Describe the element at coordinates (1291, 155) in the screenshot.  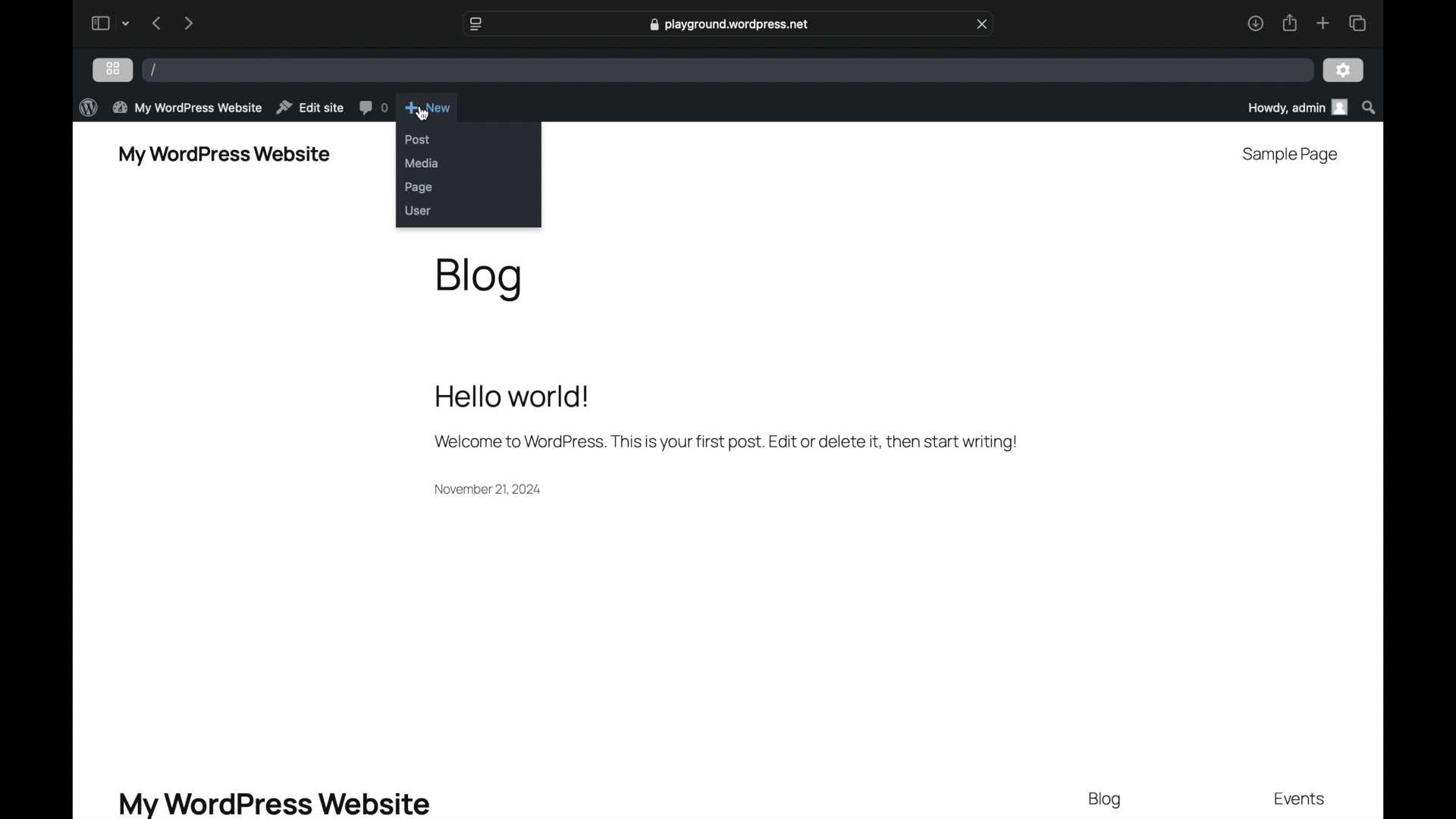
I see `sample page` at that location.